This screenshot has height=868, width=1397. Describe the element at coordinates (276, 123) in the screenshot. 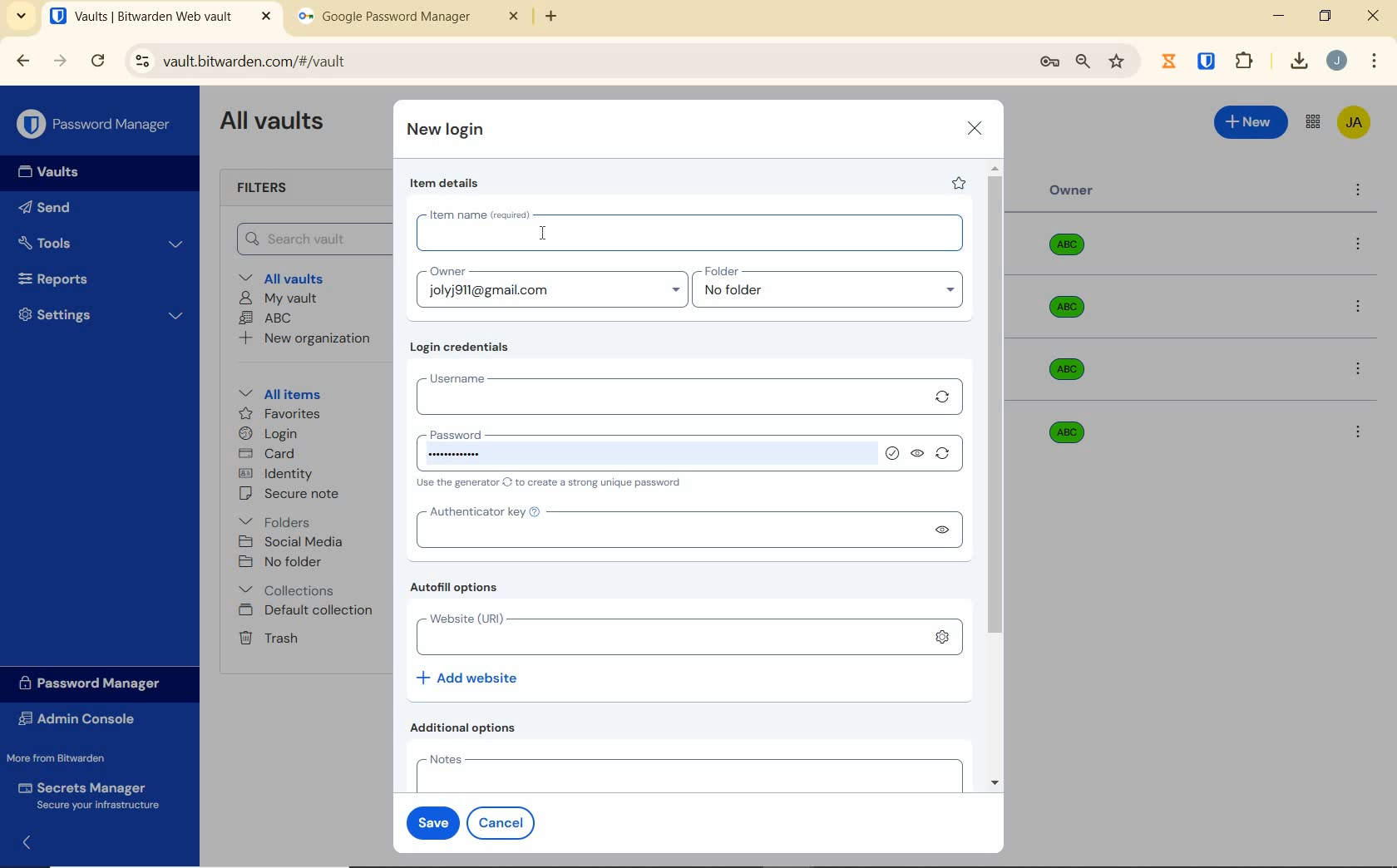

I see `All Vaults` at that location.